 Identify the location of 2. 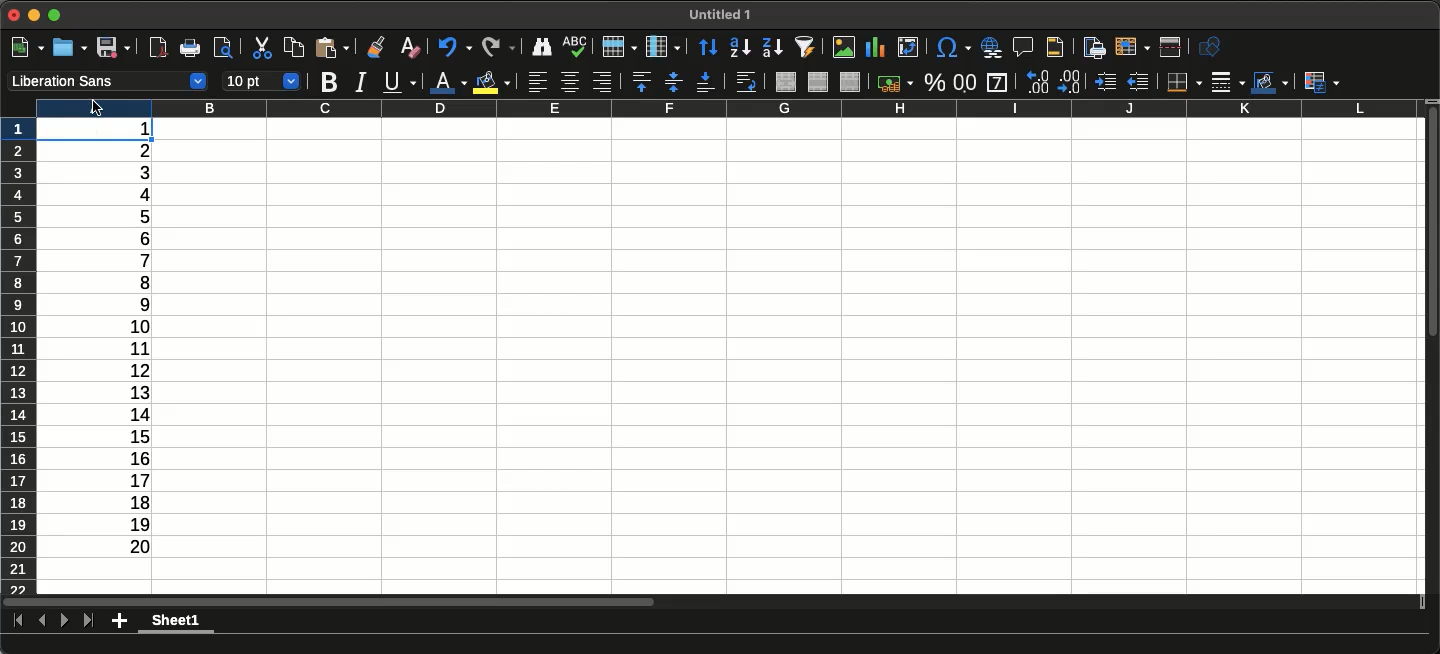
(120, 152).